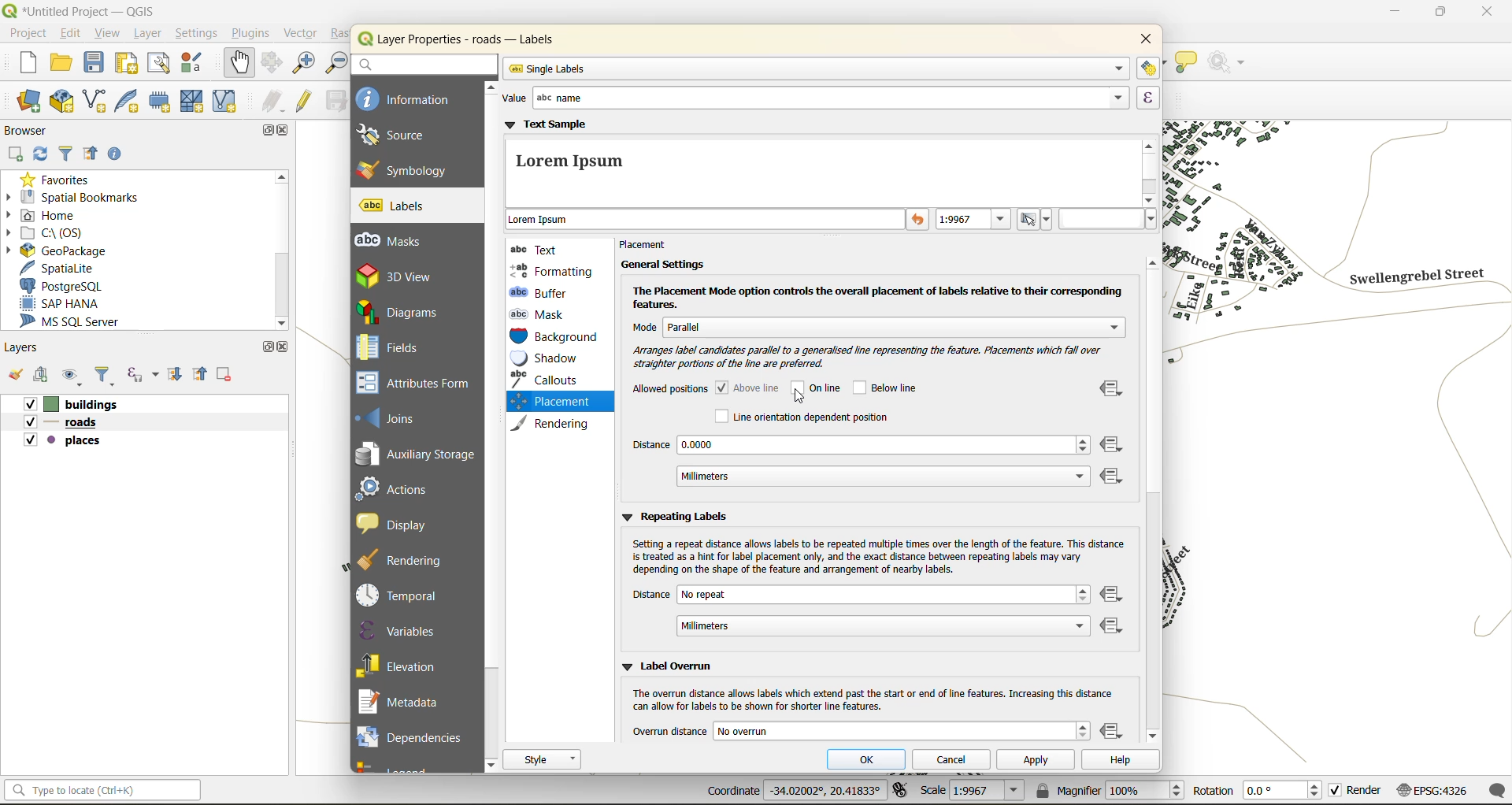 This screenshot has height=805, width=1512. What do you see at coordinates (190, 102) in the screenshot?
I see `new mesh layer` at bounding box center [190, 102].